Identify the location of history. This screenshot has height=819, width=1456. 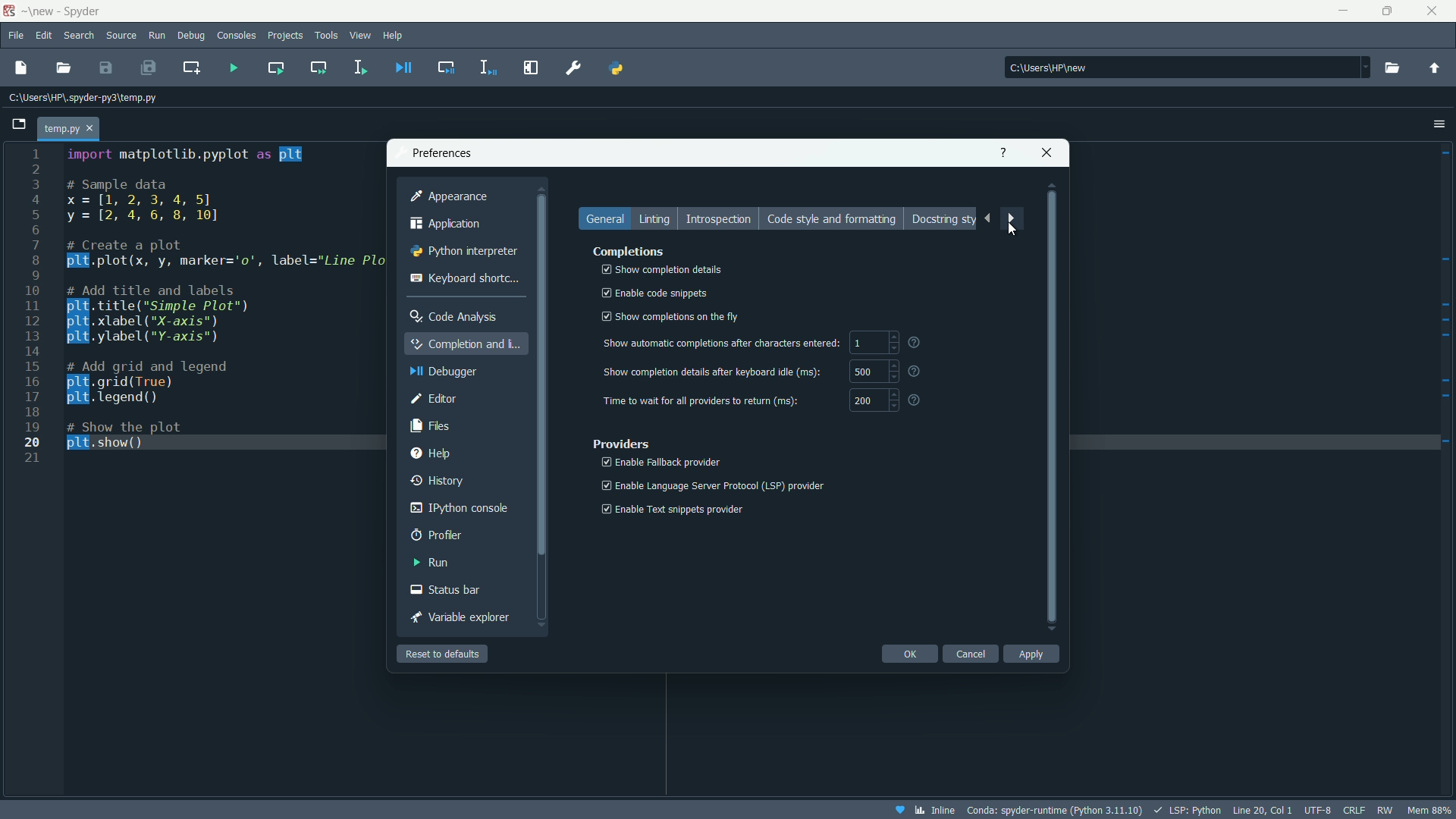
(439, 479).